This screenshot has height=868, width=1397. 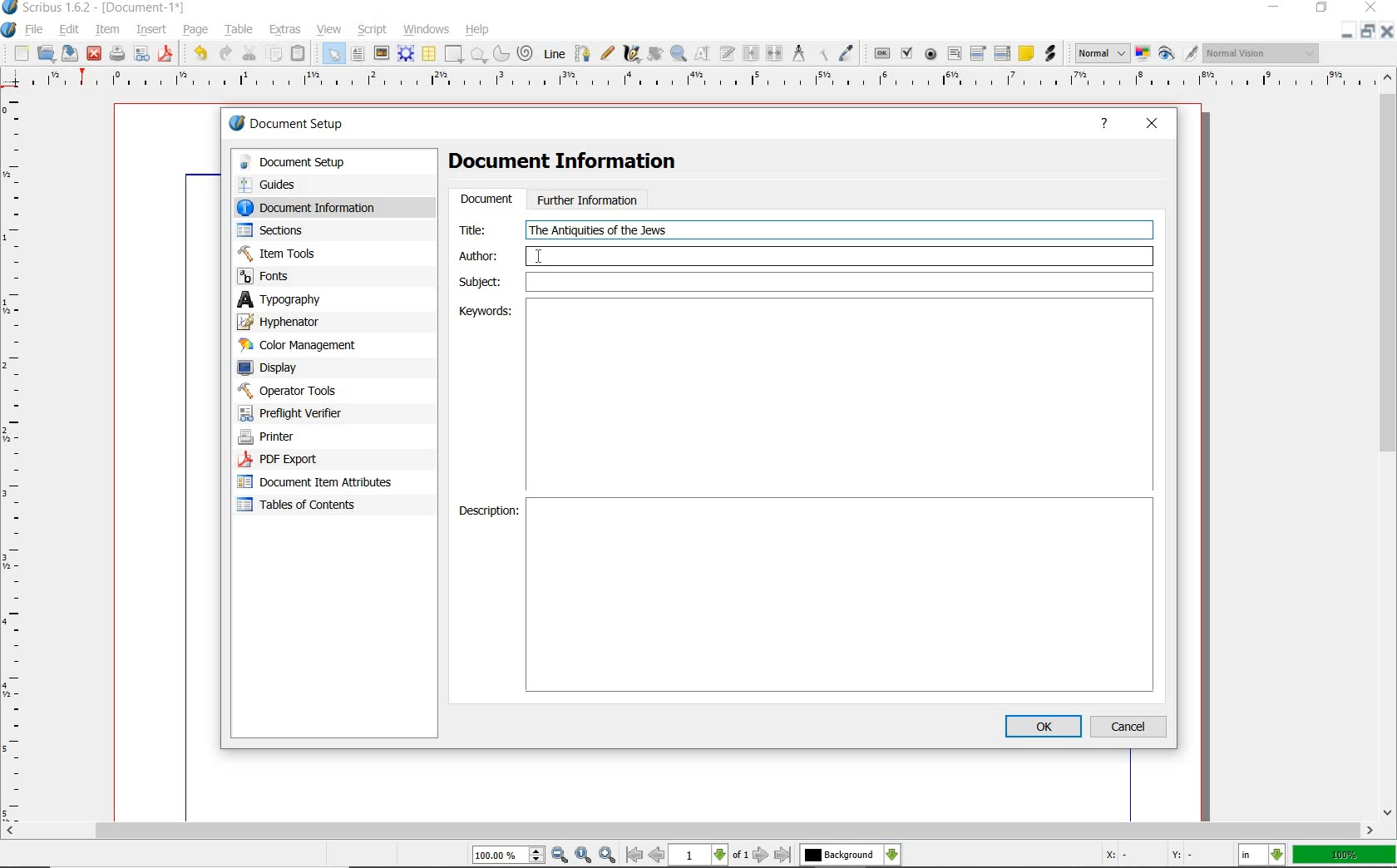 I want to click on text, so click(x=598, y=230).